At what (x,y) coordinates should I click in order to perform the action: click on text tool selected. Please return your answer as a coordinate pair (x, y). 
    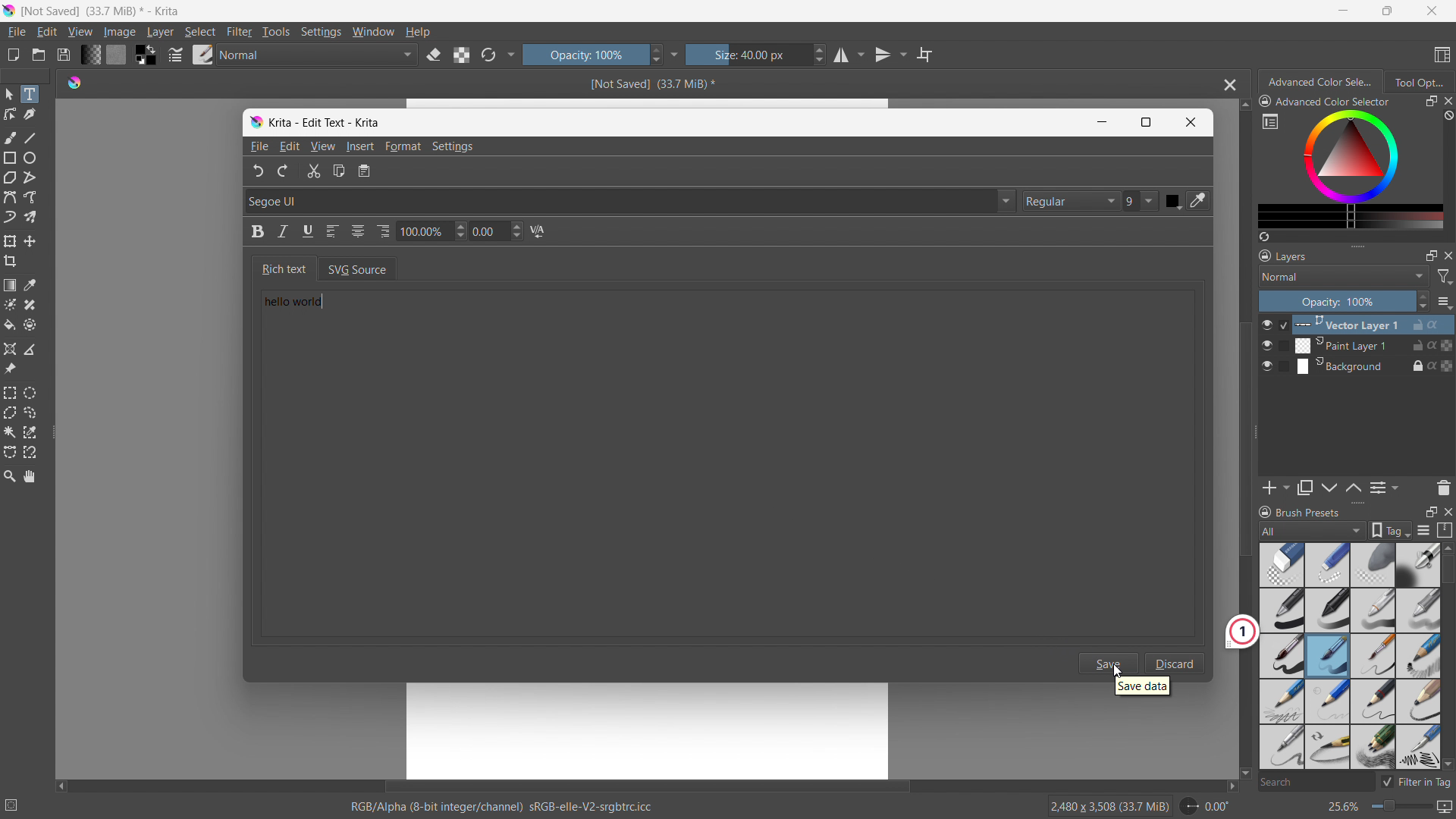
    Looking at the image, I should click on (29, 94).